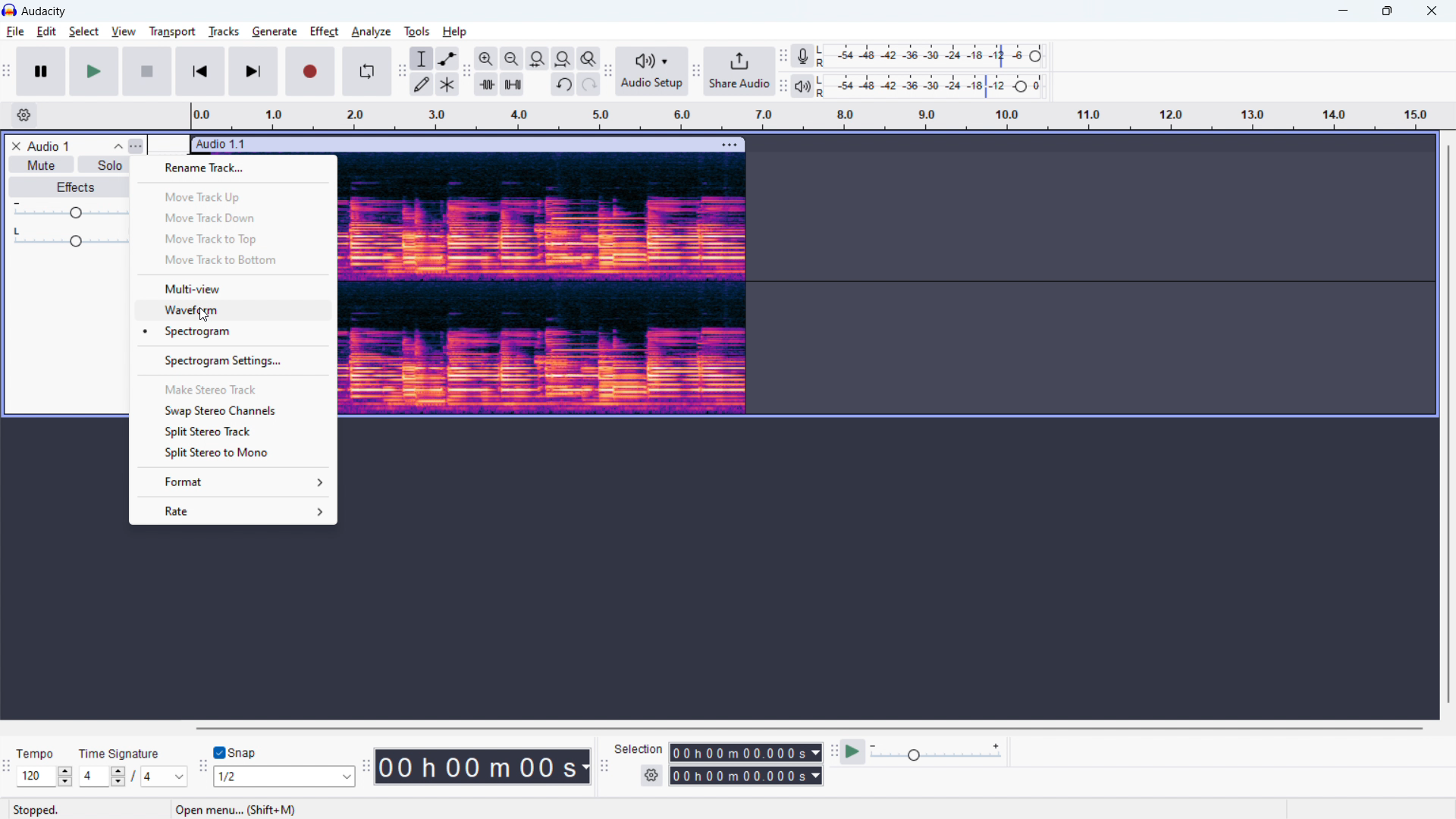 The width and height of the screenshot is (1456, 819). Describe the element at coordinates (466, 71) in the screenshot. I see `edit toolbar` at that location.